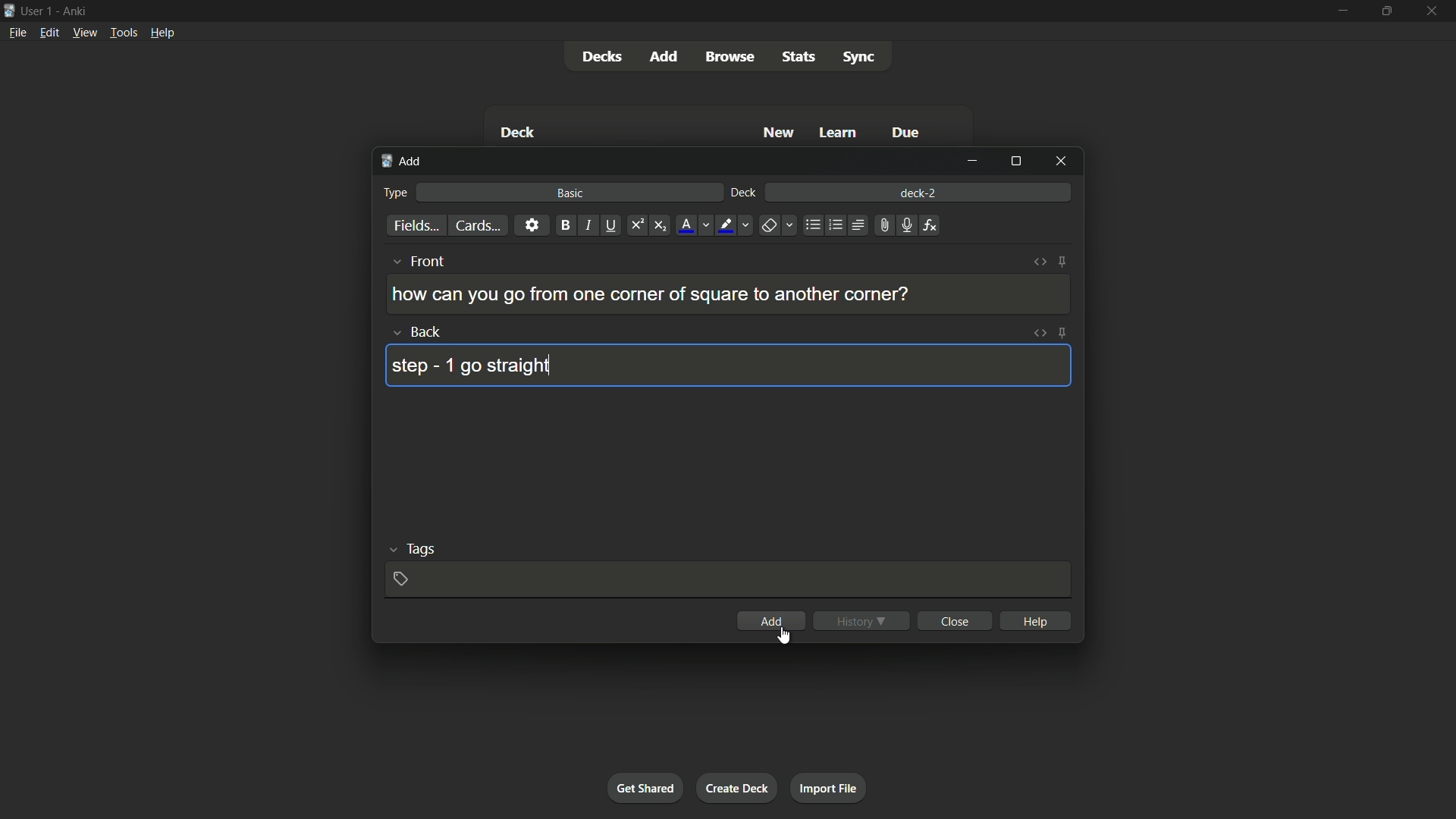 The width and height of the screenshot is (1456, 819). Describe the element at coordinates (397, 193) in the screenshot. I see `type` at that location.